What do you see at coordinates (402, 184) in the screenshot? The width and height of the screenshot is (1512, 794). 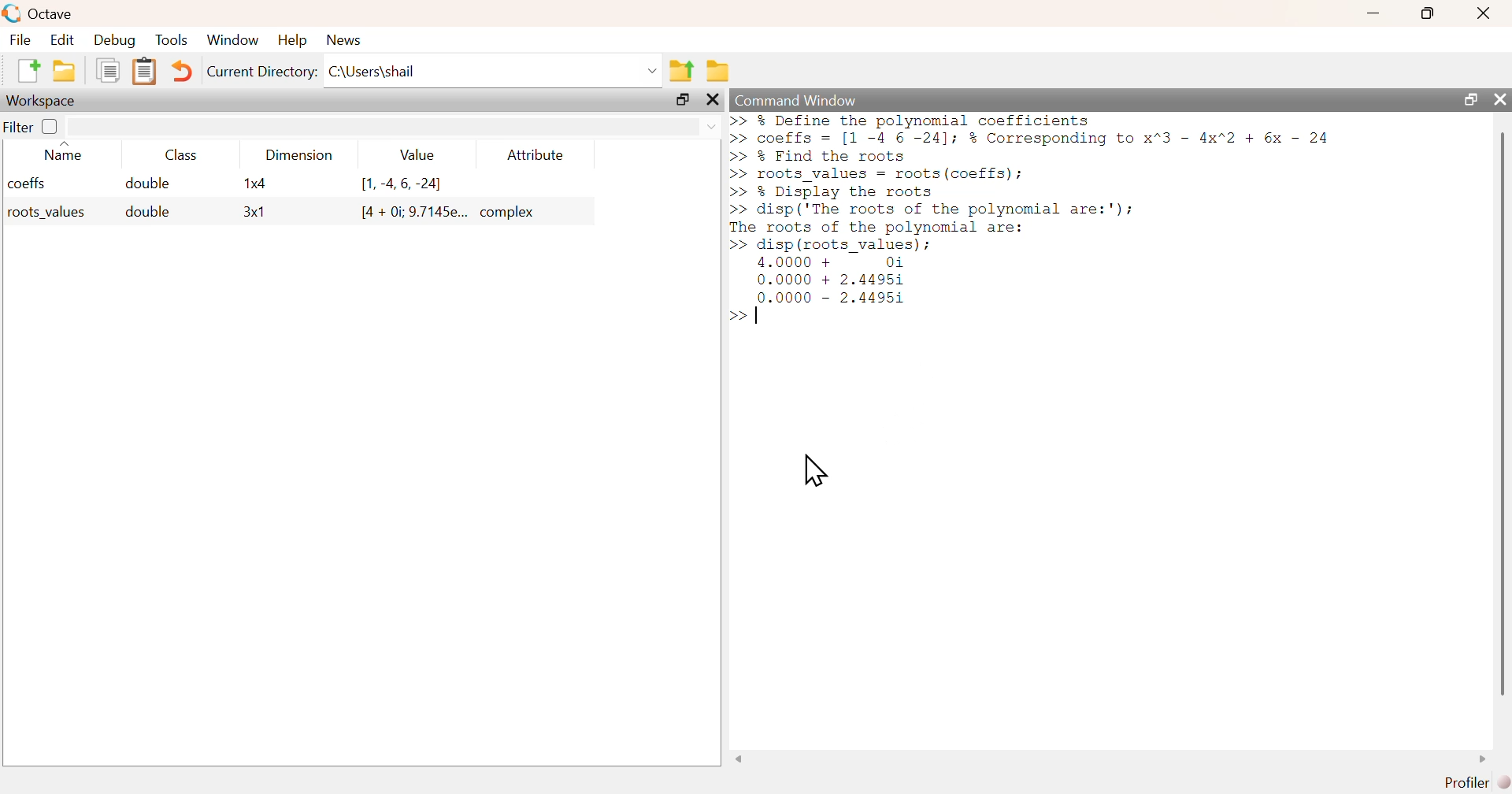 I see `[1,-4,6,-24]` at bounding box center [402, 184].